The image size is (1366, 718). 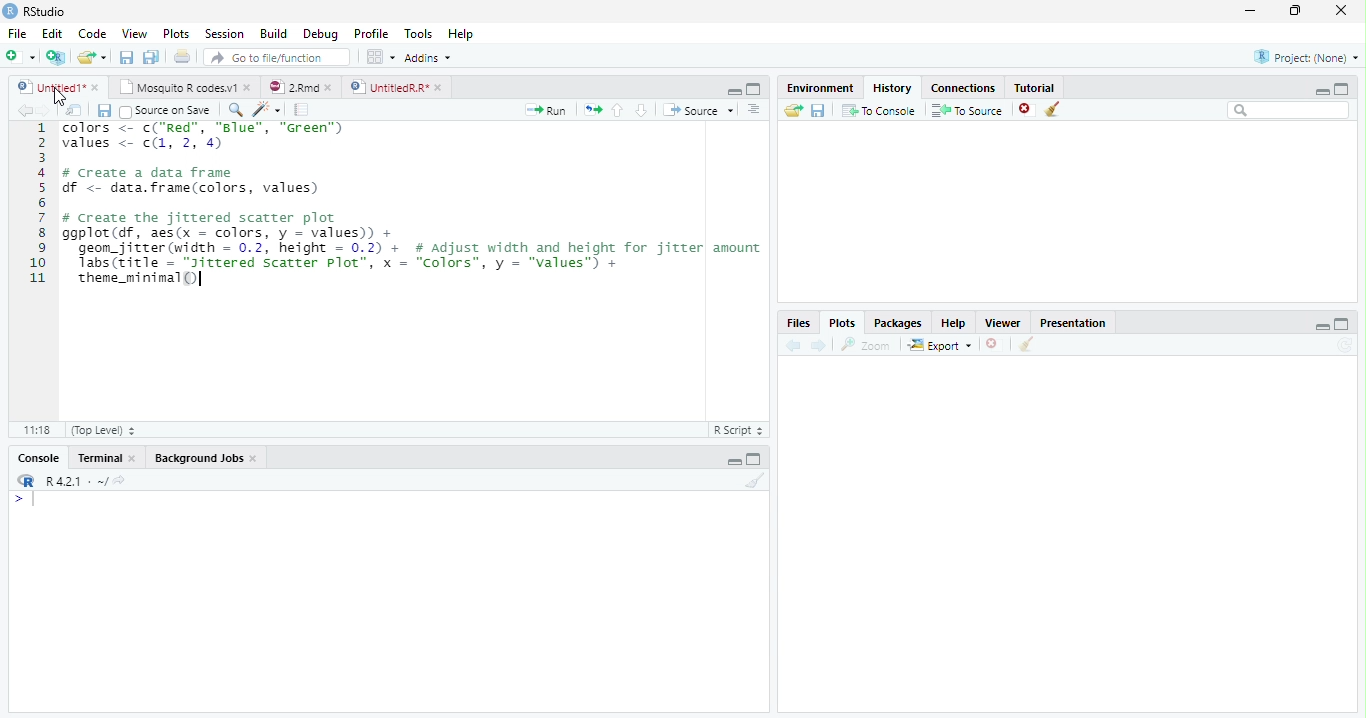 What do you see at coordinates (177, 33) in the screenshot?
I see `Plots` at bounding box center [177, 33].